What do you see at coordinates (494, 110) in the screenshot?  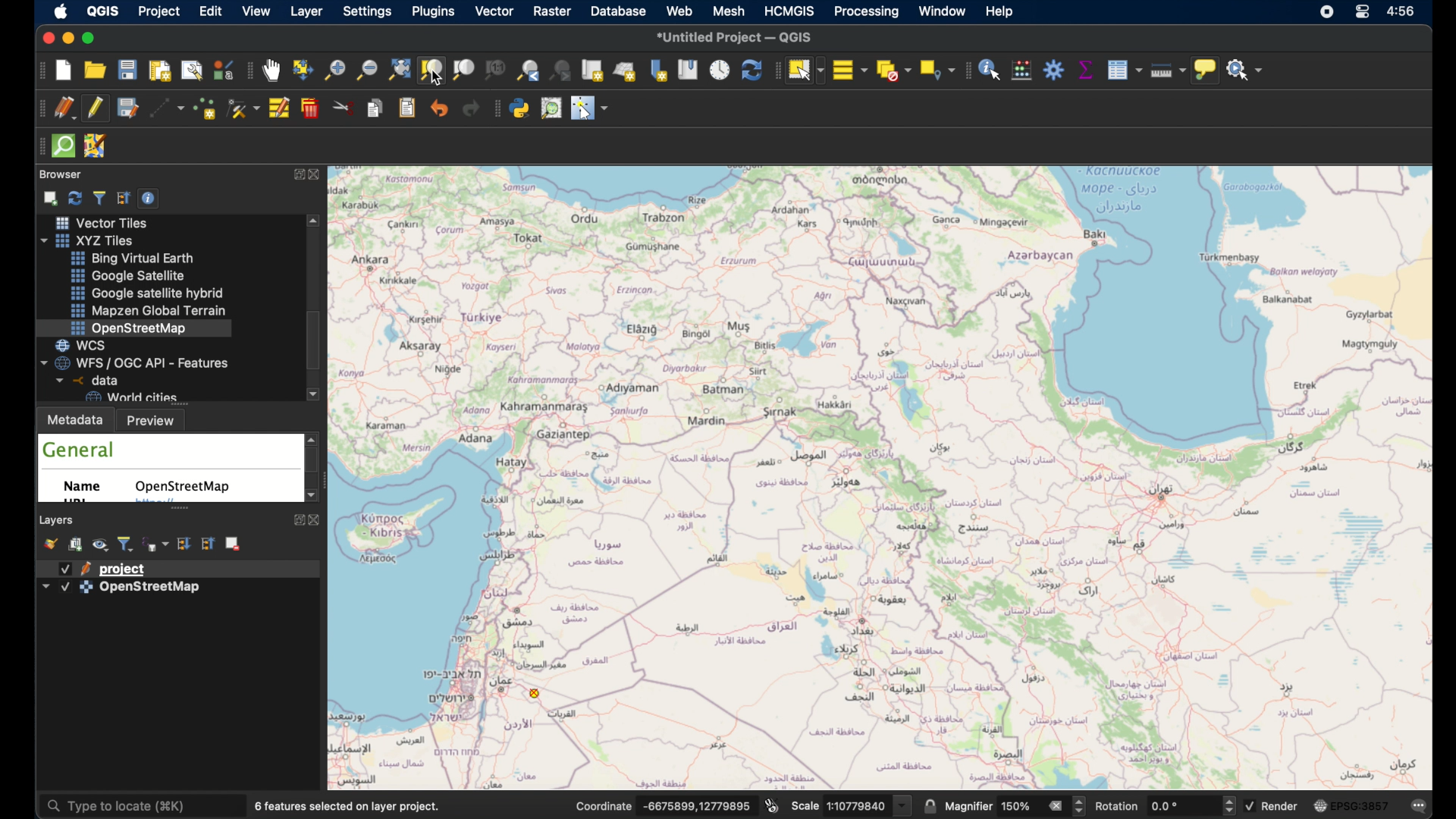 I see `plugins toolbar` at bounding box center [494, 110].